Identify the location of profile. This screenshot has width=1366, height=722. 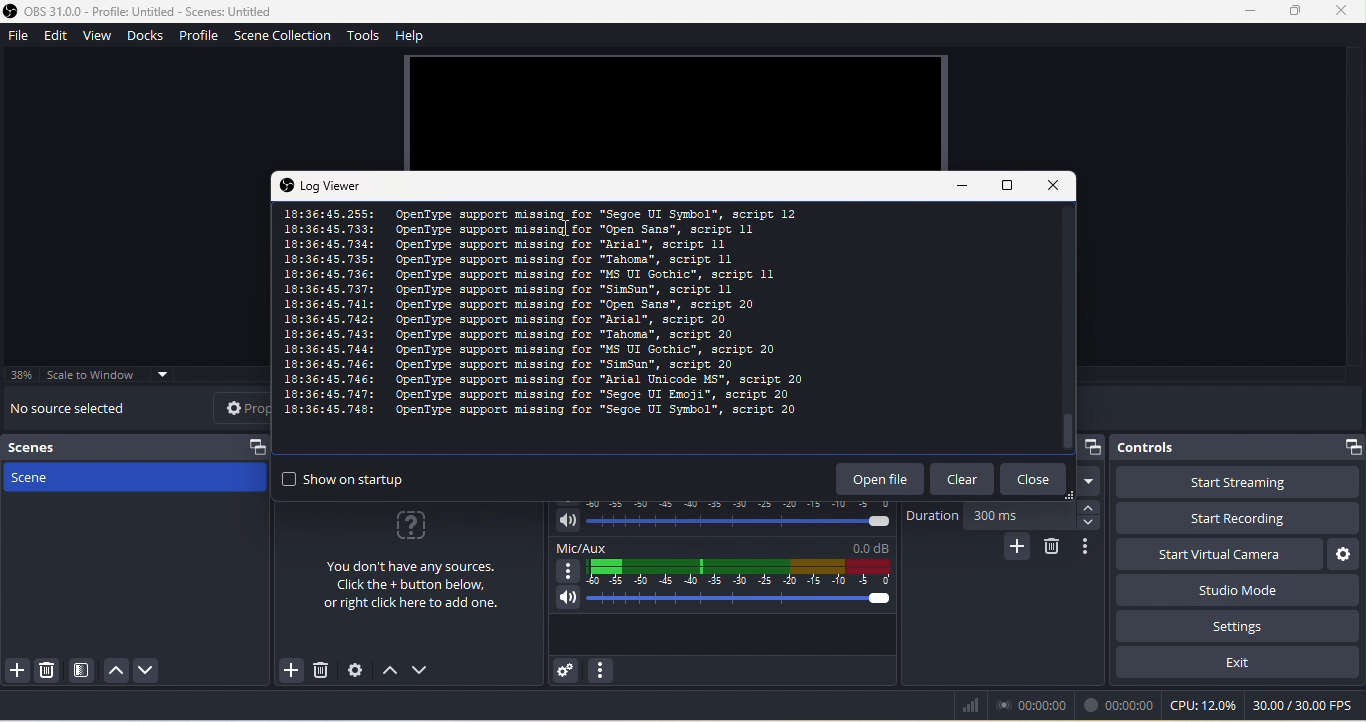
(200, 37).